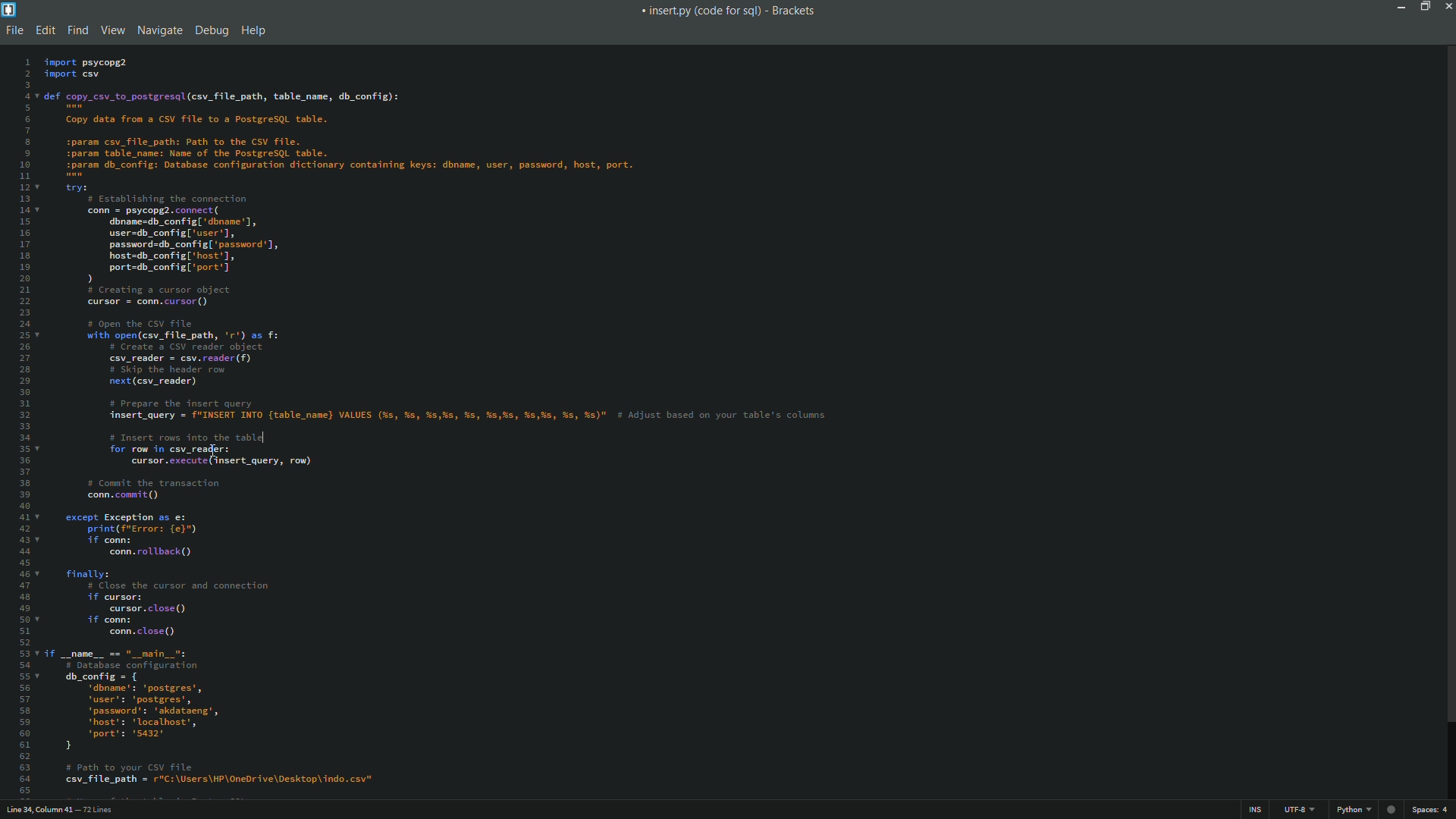 The height and width of the screenshot is (819, 1456). Describe the element at coordinates (210, 31) in the screenshot. I see `debug menu` at that location.